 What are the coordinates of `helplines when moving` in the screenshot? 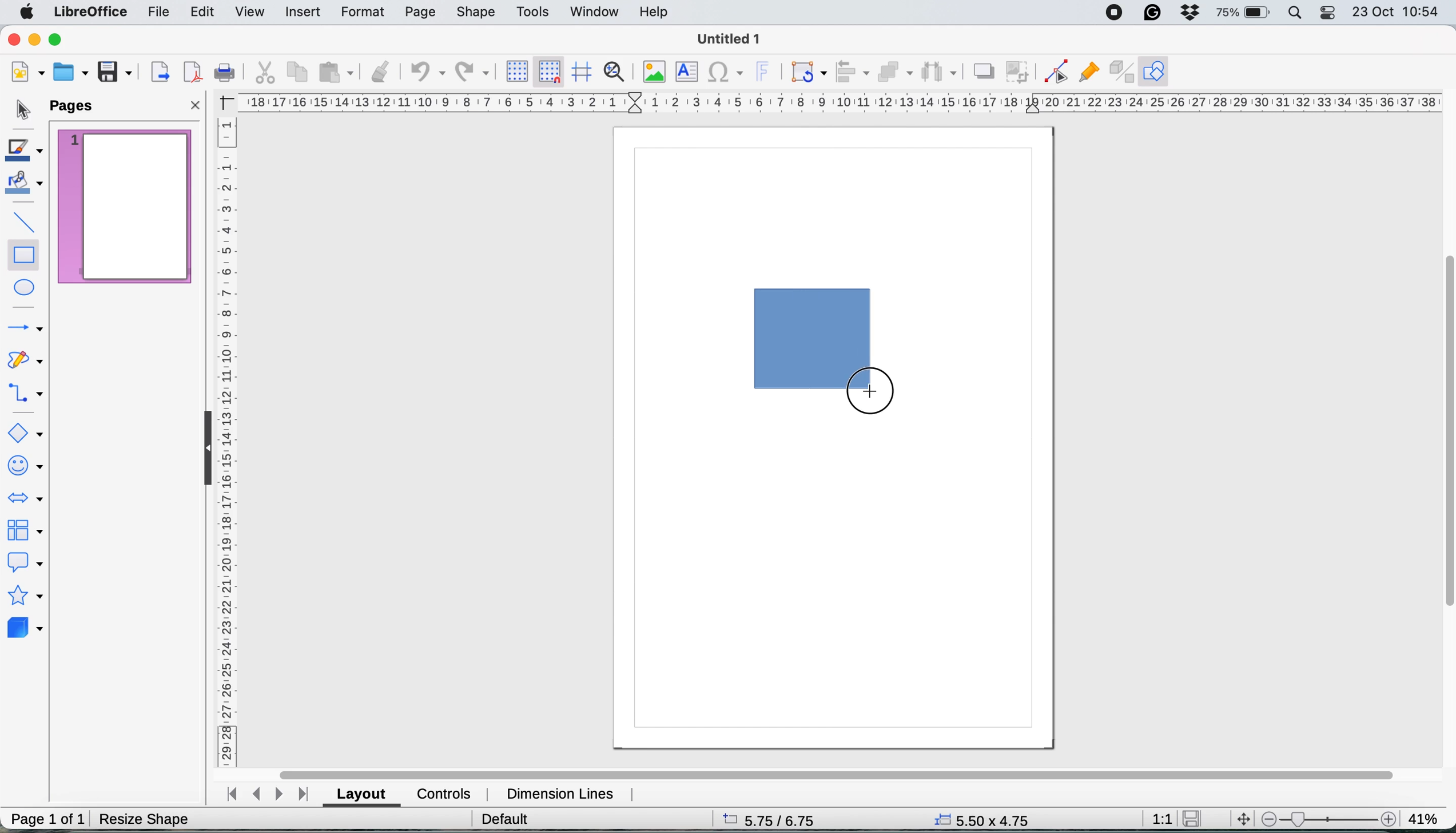 It's located at (583, 73).